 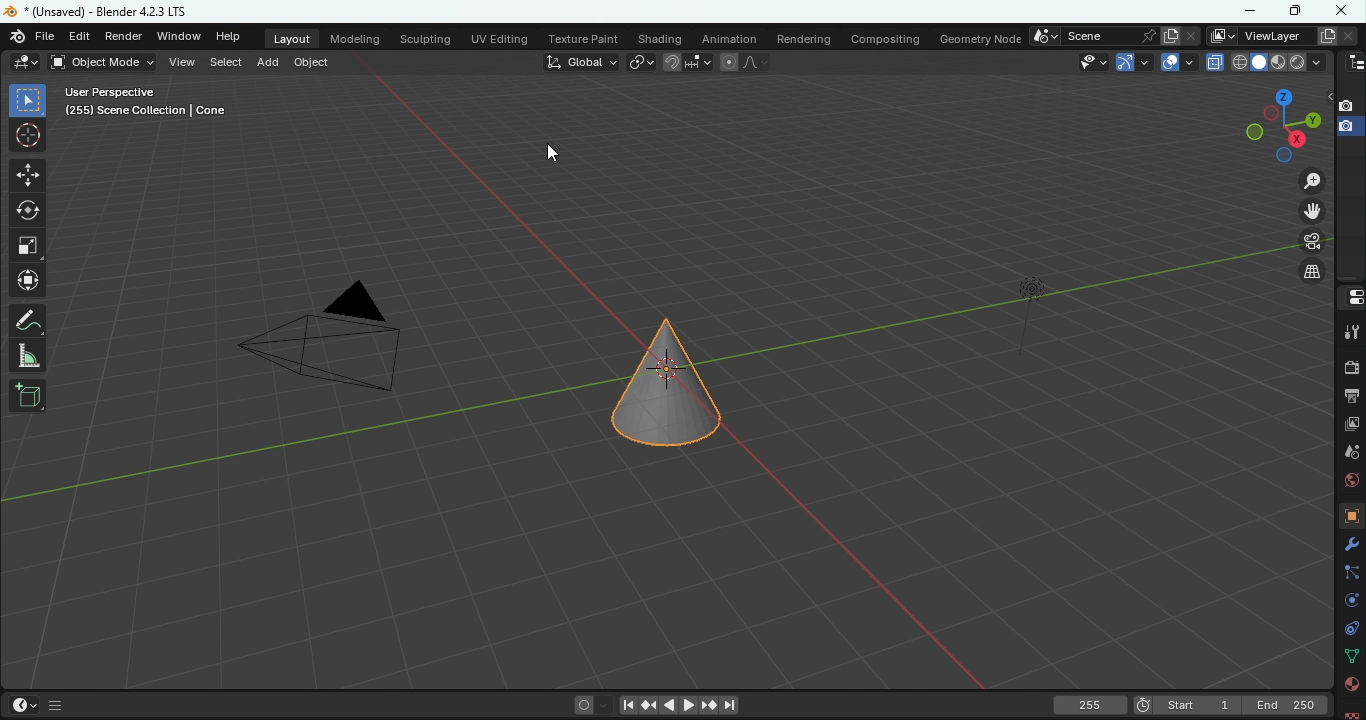 What do you see at coordinates (1090, 706) in the screenshot?
I see `Current frame` at bounding box center [1090, 706].